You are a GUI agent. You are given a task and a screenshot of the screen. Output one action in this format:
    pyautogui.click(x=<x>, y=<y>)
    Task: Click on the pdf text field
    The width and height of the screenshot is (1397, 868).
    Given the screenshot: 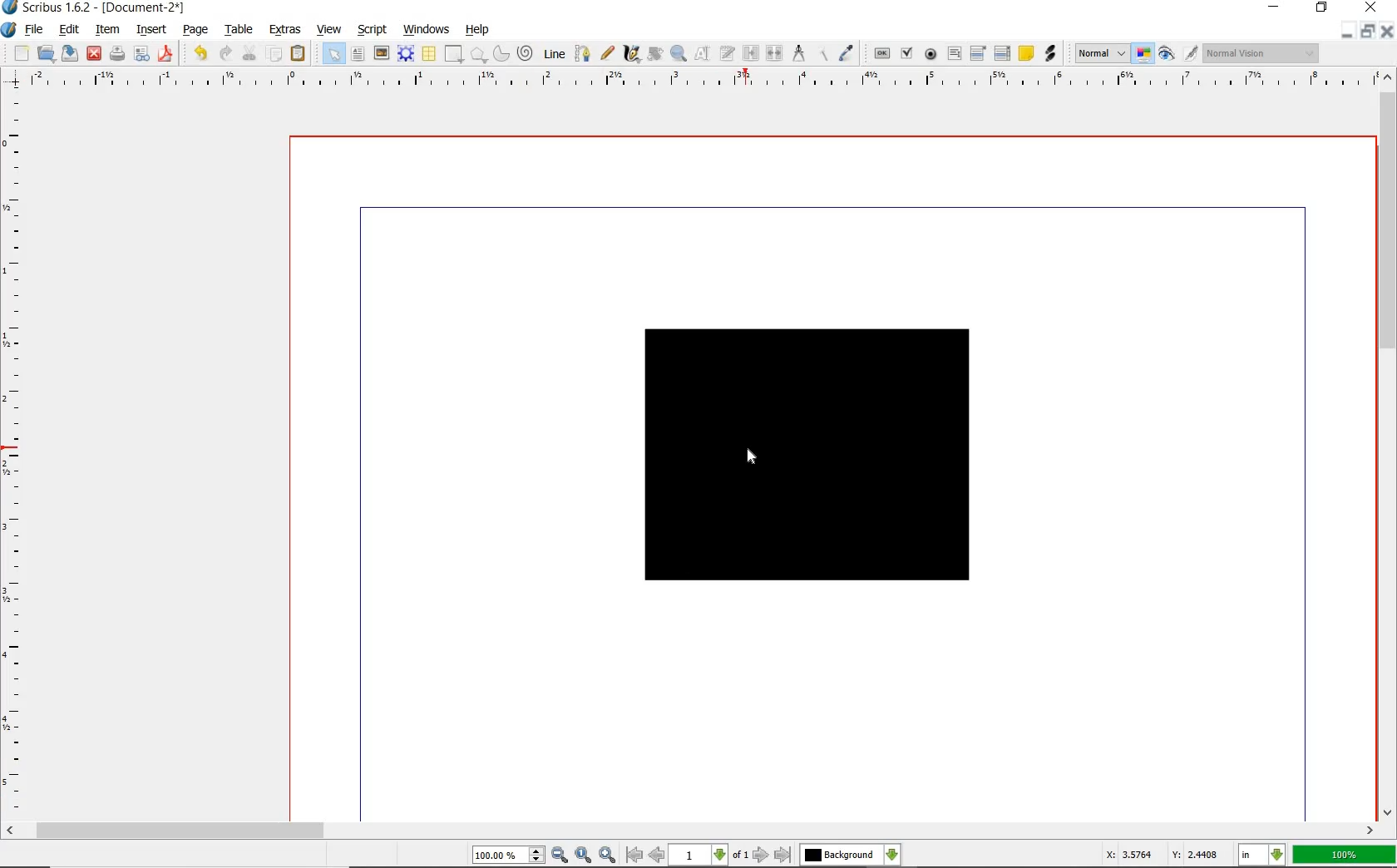 What is the action you would take?
    pyautogui.click(x=955, y=54)
    